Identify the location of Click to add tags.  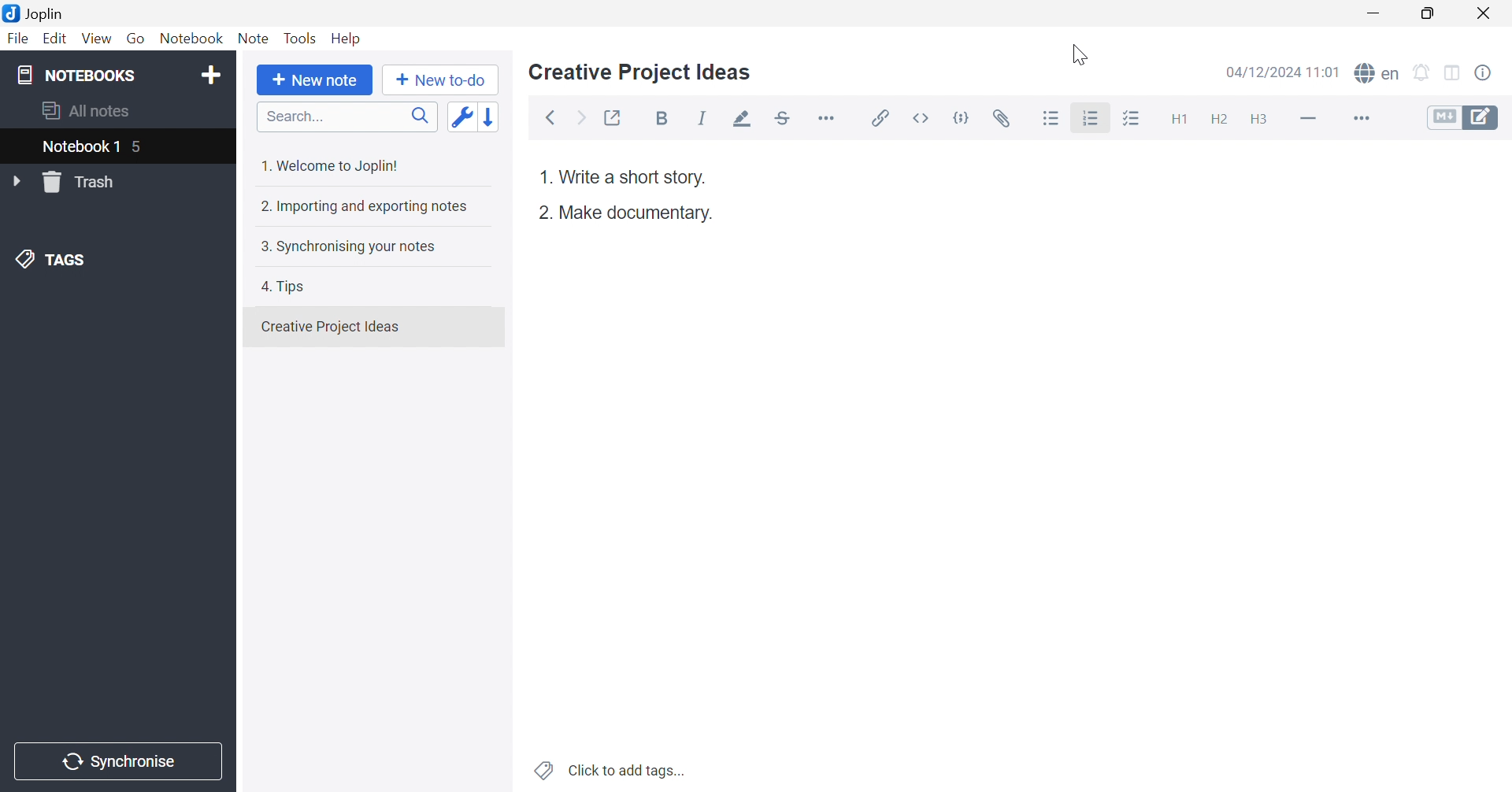
(607, 770).